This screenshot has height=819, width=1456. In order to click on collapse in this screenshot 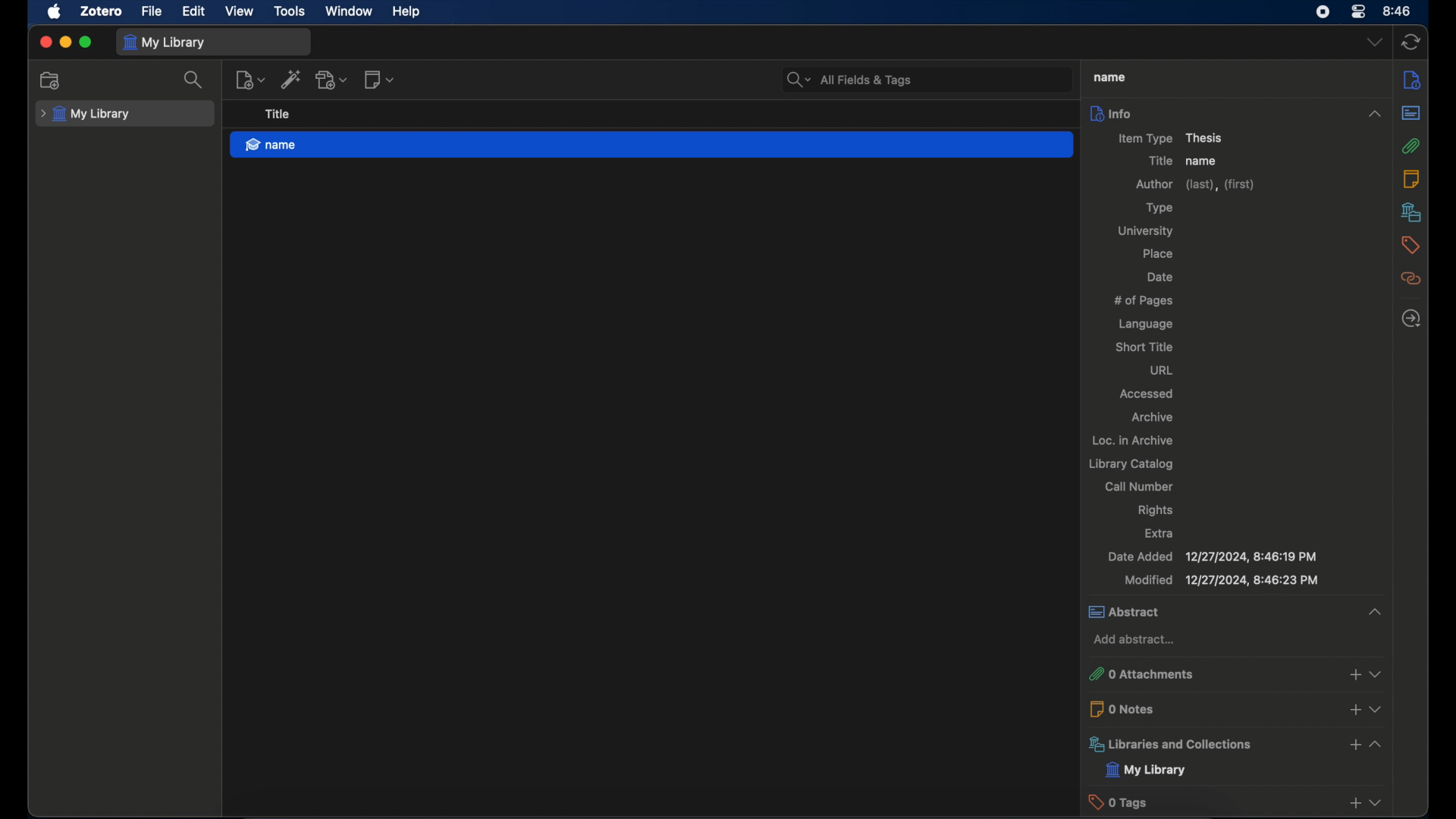, I will do `click(1376, 743)`.